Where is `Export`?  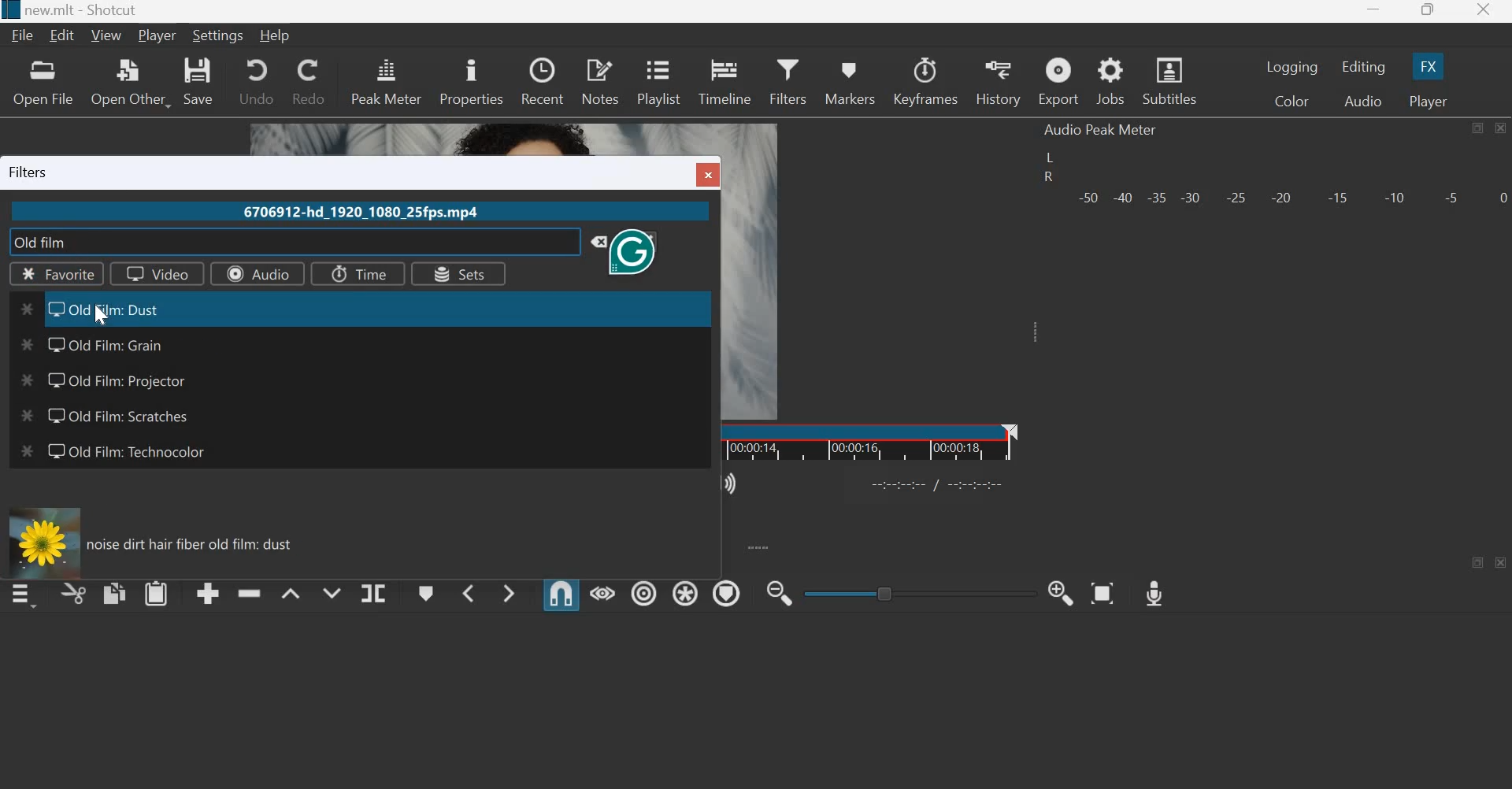 Export is located at coordinates (1058, 83).